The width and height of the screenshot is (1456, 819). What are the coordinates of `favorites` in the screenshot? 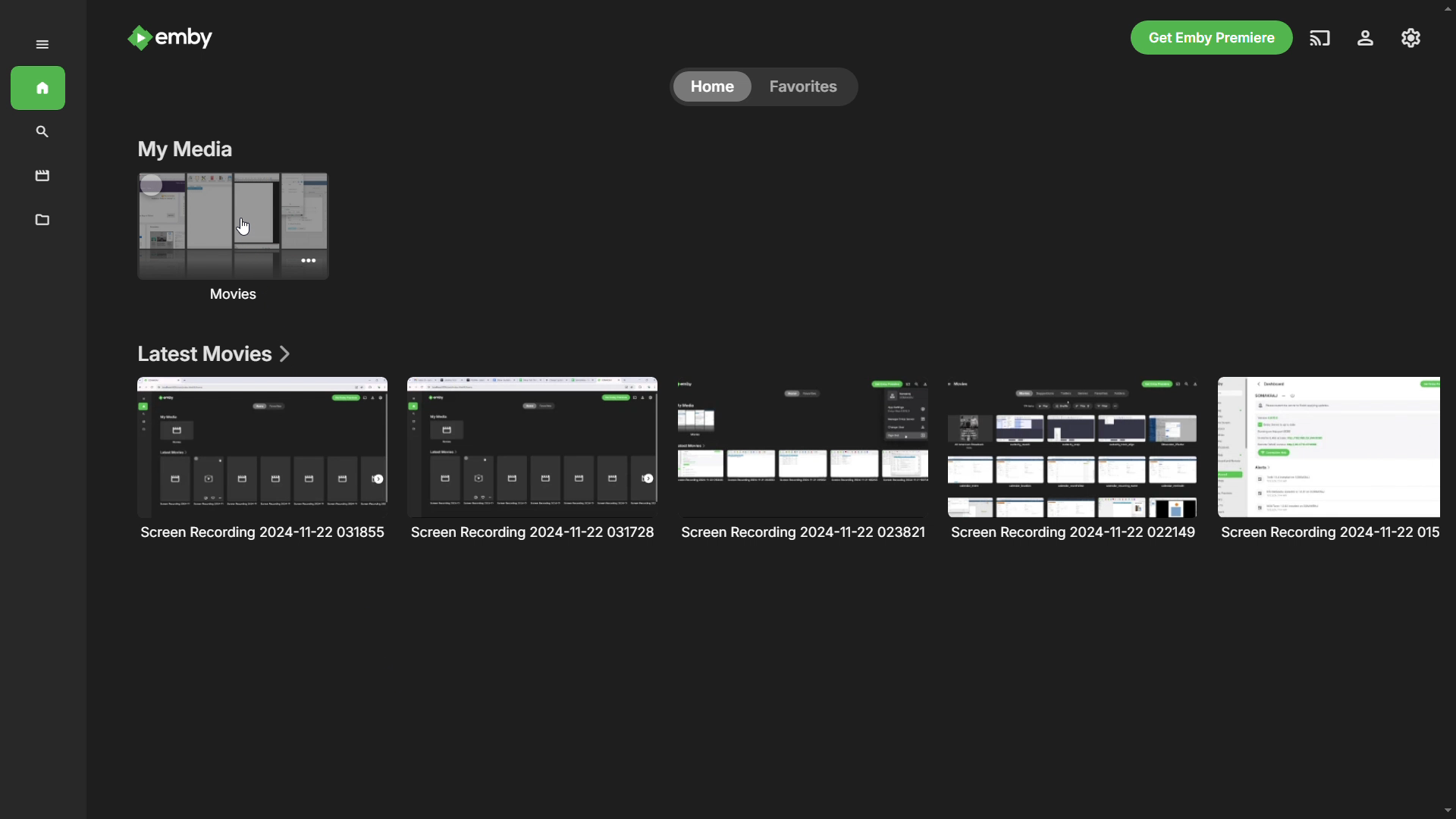 It's located at (807, 88).